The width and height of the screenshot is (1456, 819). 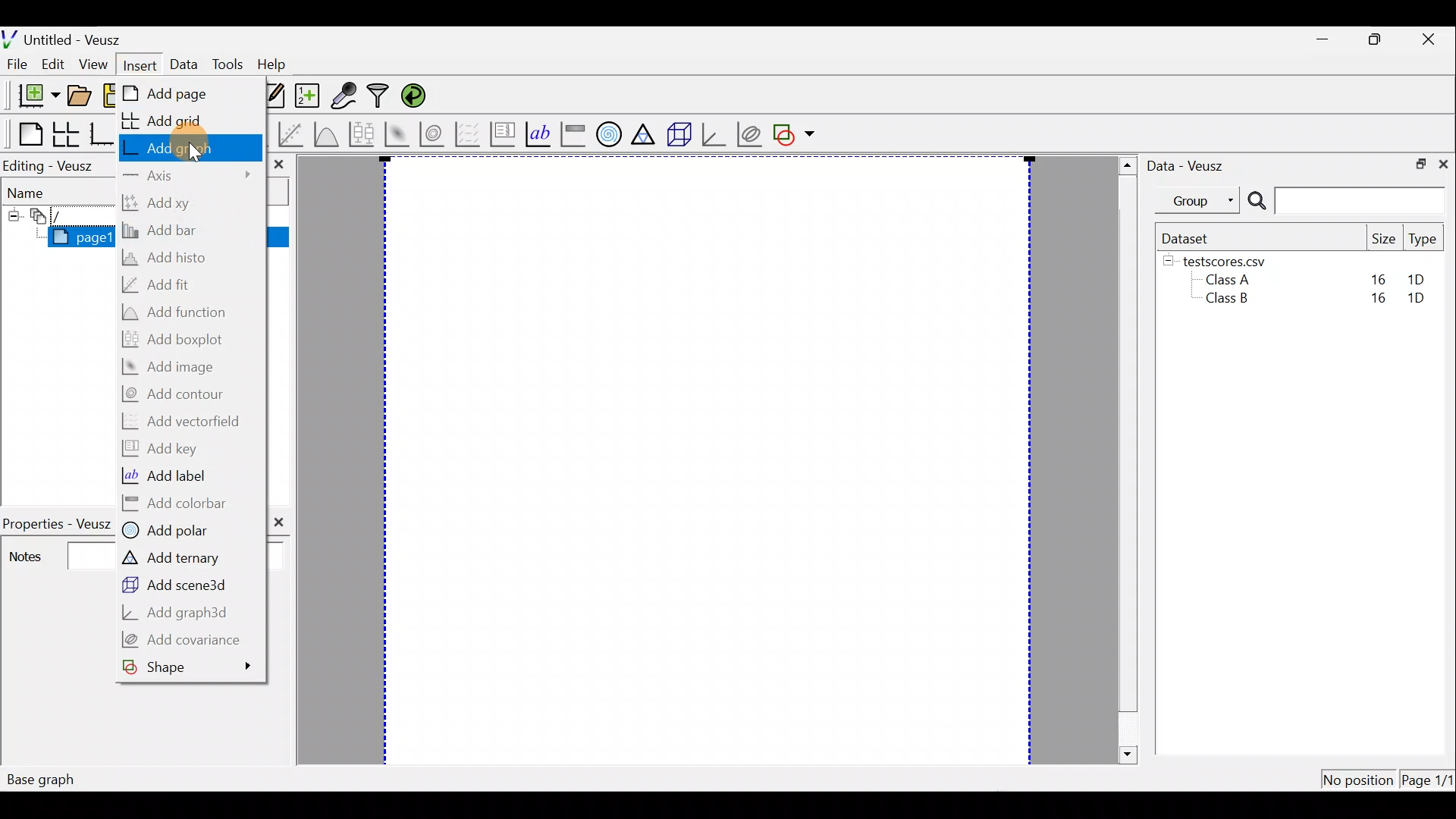 I want to click on Insert, so click(x=135, y=62).